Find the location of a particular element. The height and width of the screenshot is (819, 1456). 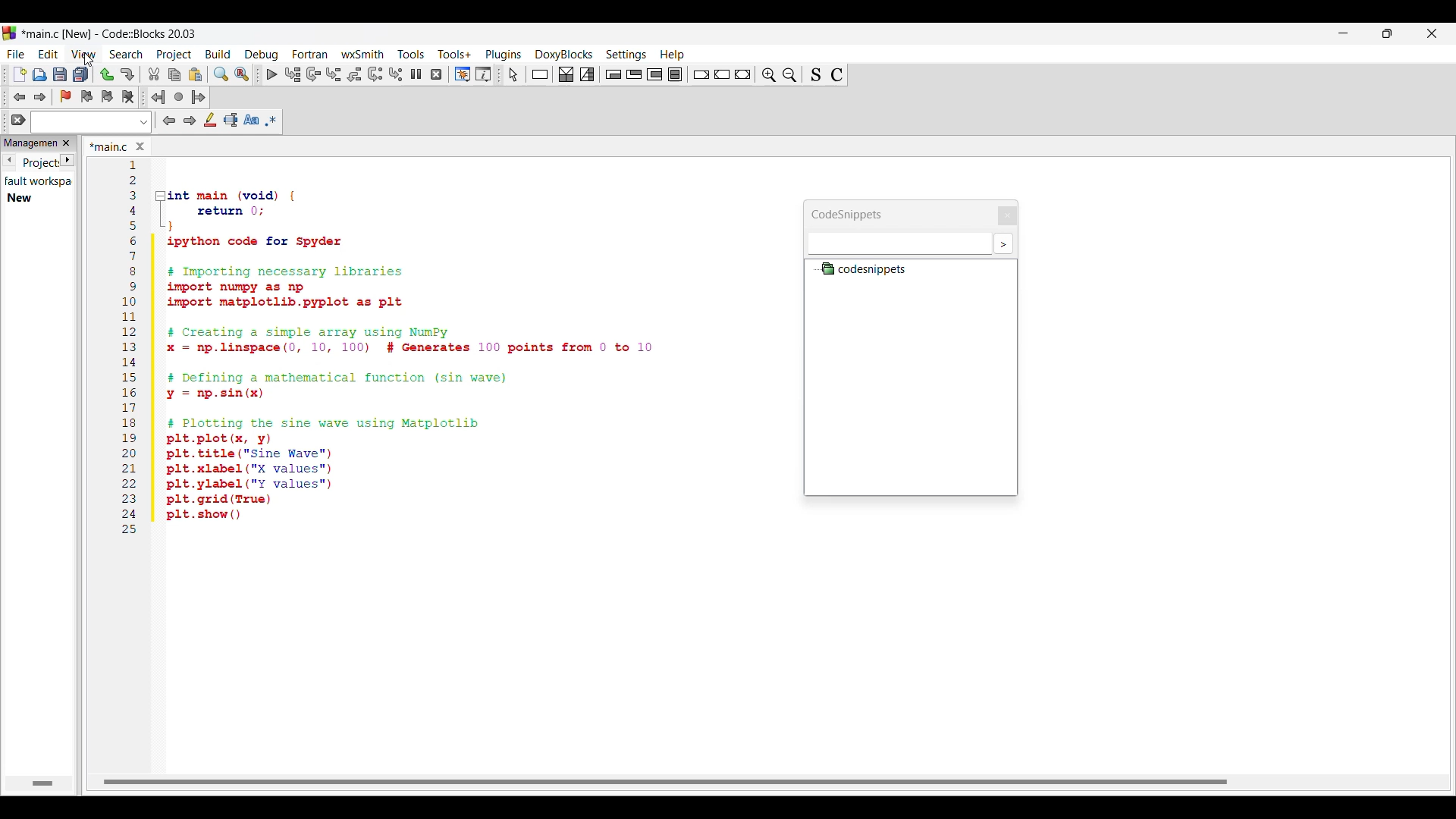

Close panel is located at coordinates (66, 143).